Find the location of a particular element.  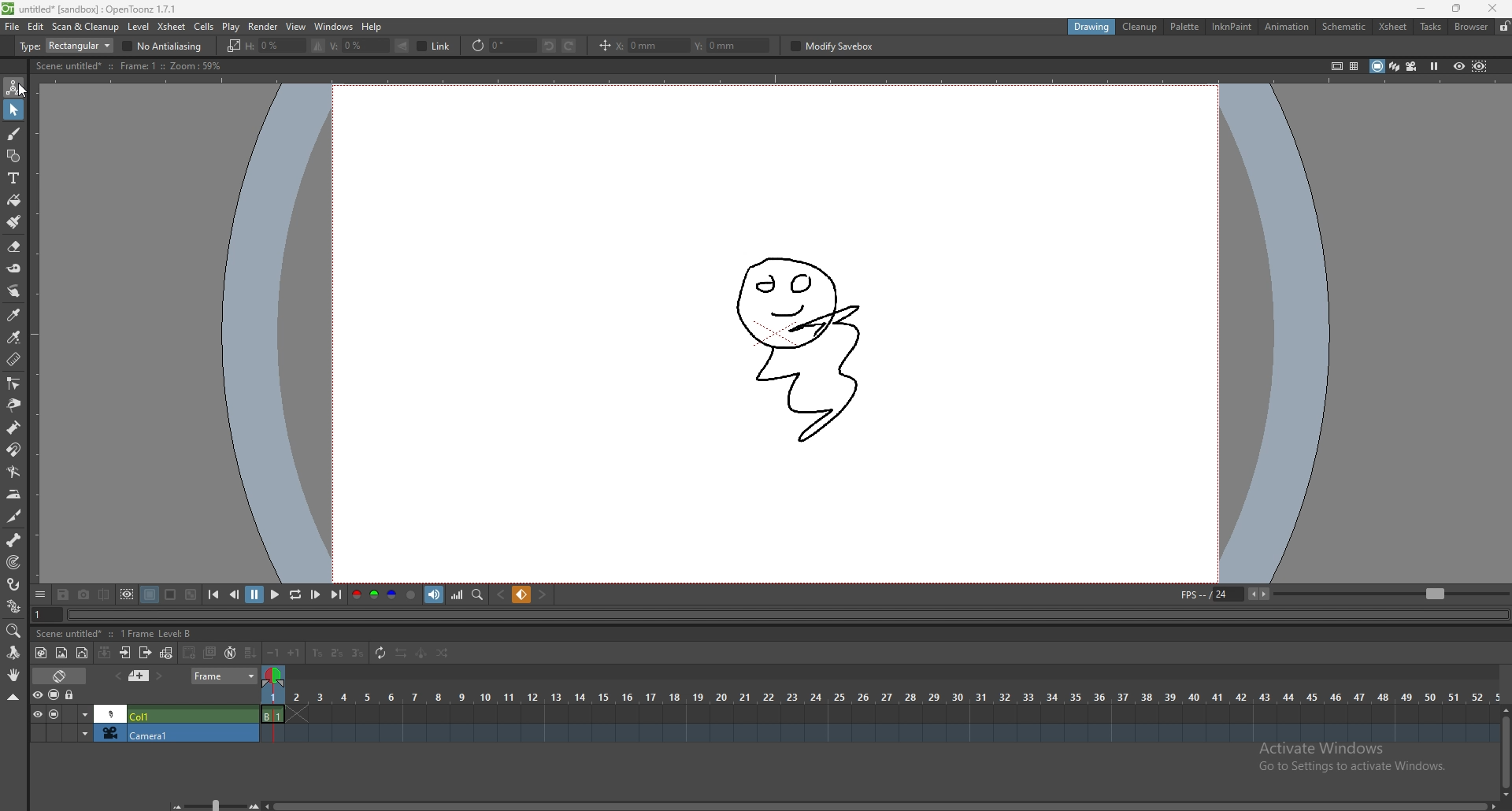

next memo is located at coordinates (159, 676).